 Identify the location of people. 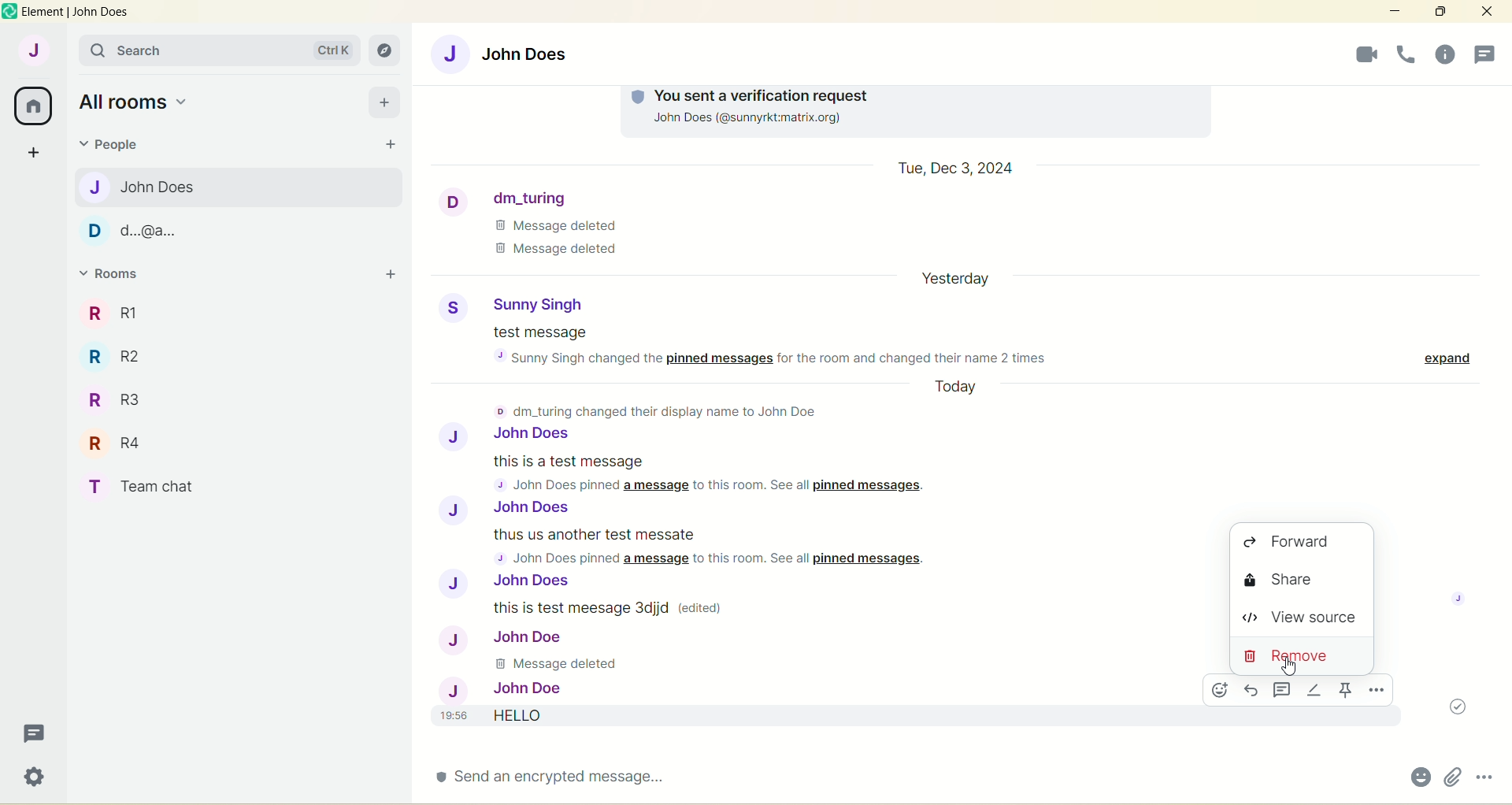
(116, 147).